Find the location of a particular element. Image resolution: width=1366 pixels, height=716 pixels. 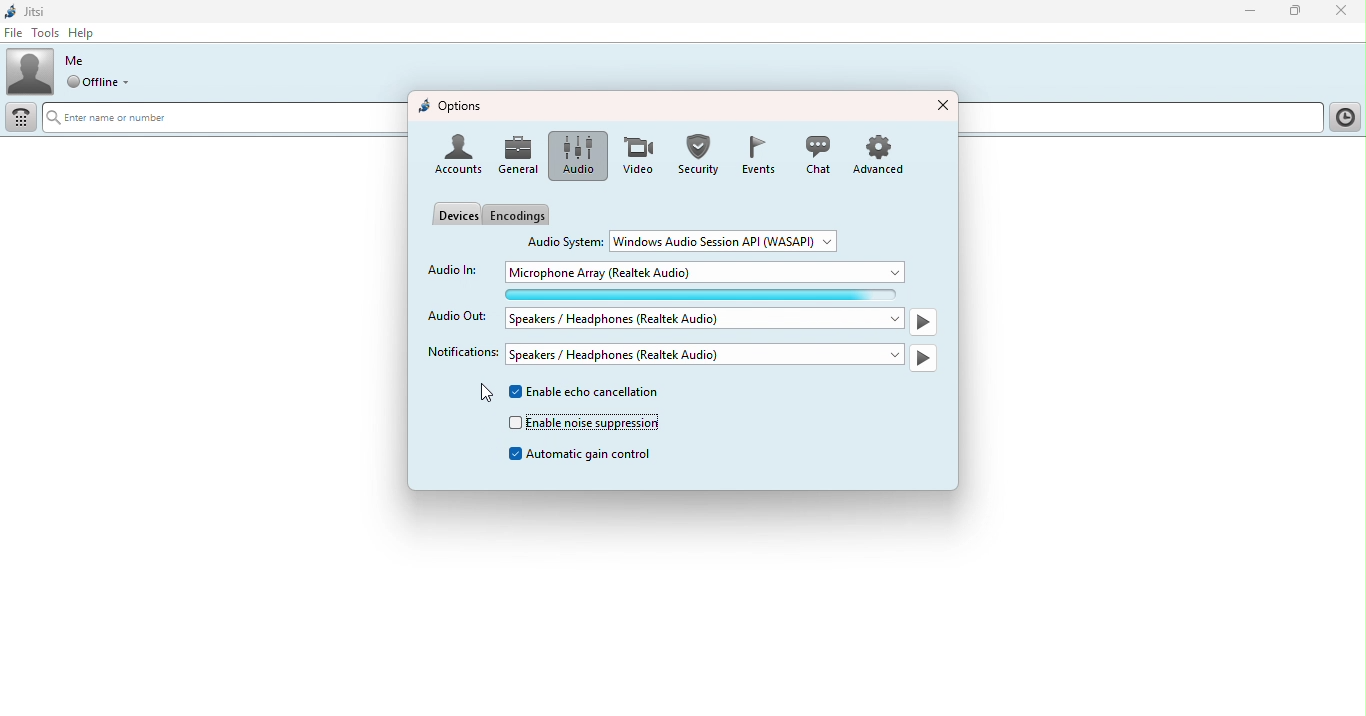

Maximize is located at coordinates (1298, 13).